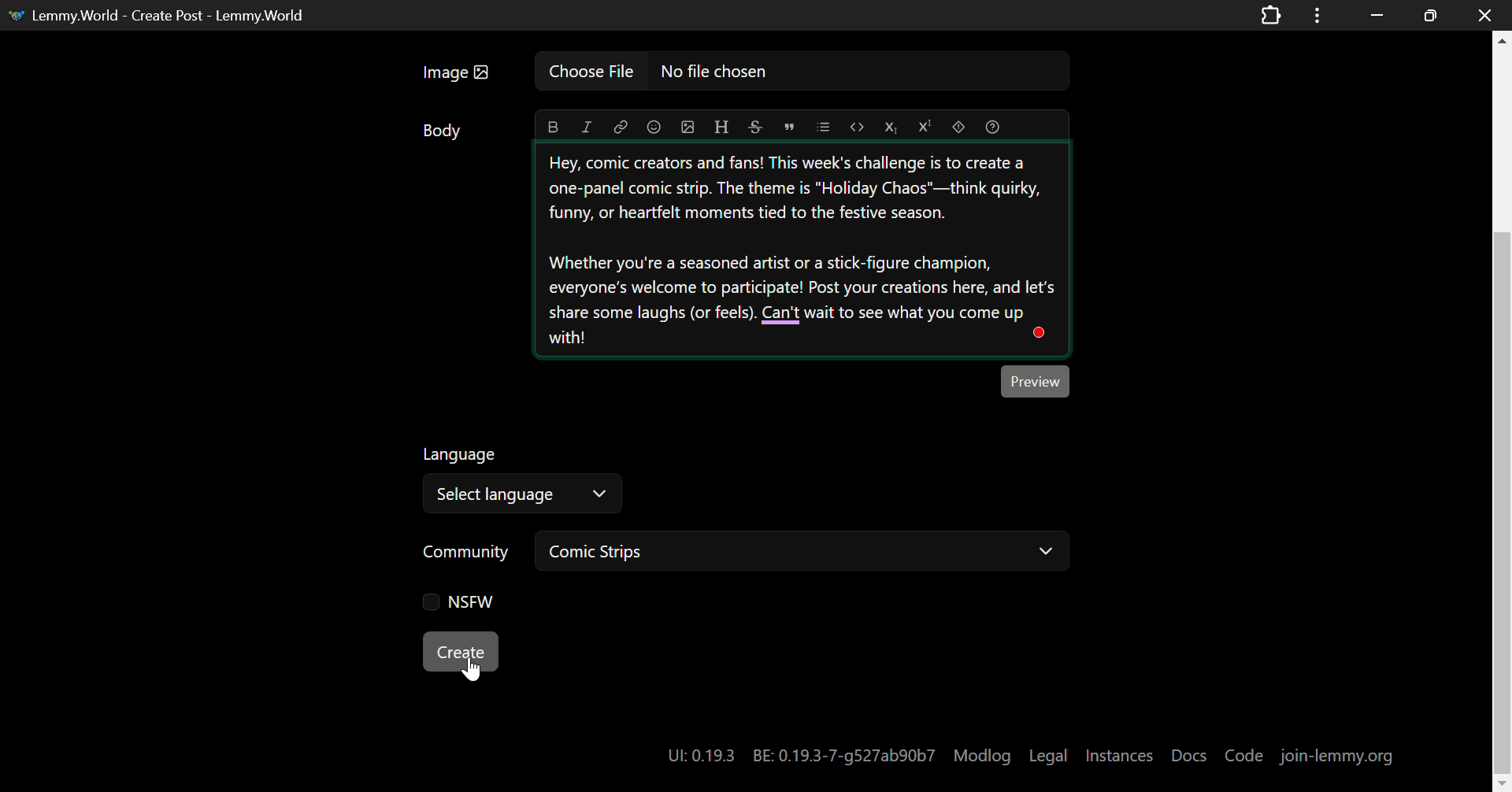 The image size is (1512, 792). What do you see at coordinates (799, 756) in the screenshot?
I see `UI:0.19.3 BE:0.19.3-7-g527ab90b7` at bounding box center [799, 756].